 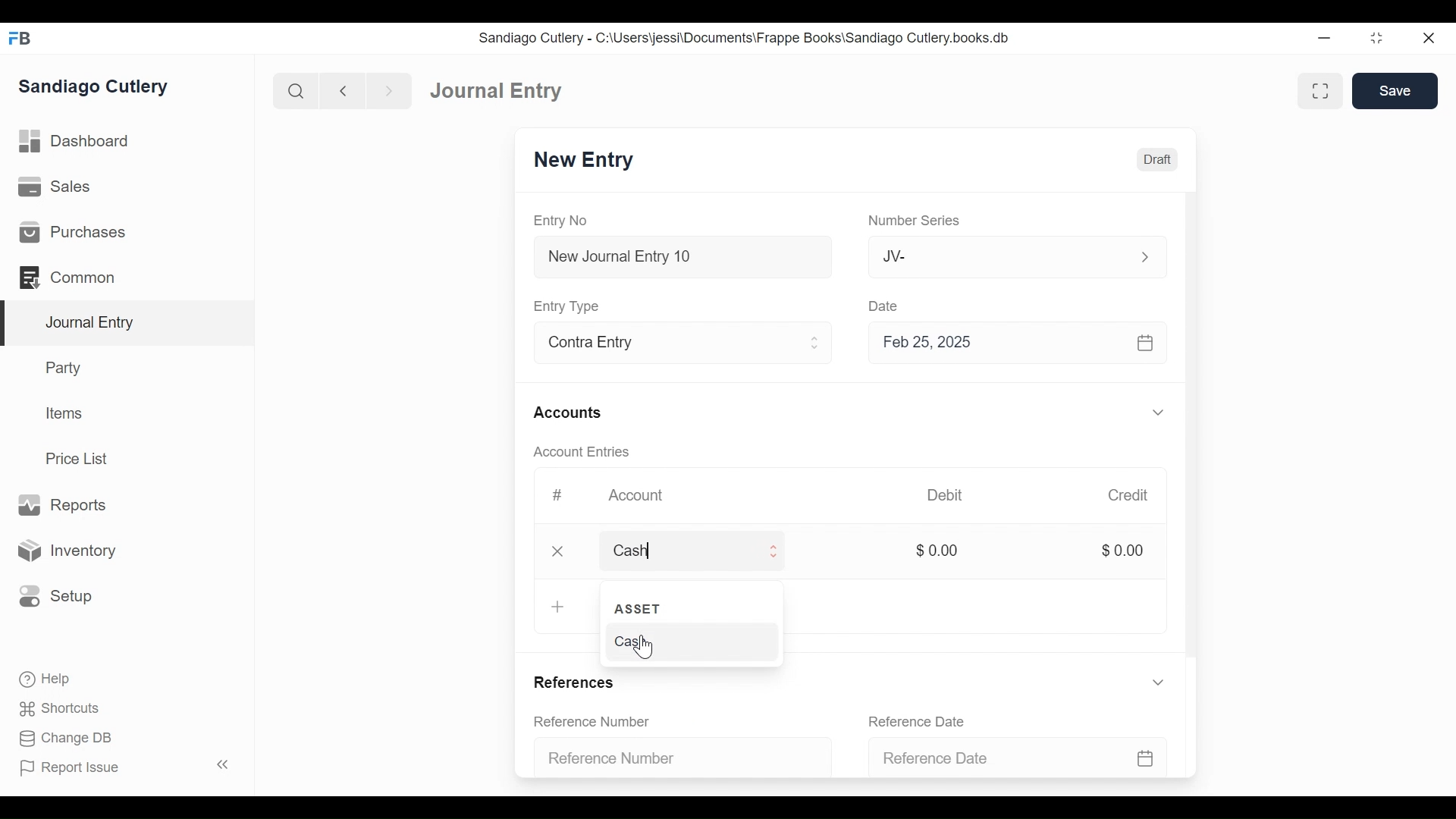 I want to click on $0.00, so click(x=936, y=551).